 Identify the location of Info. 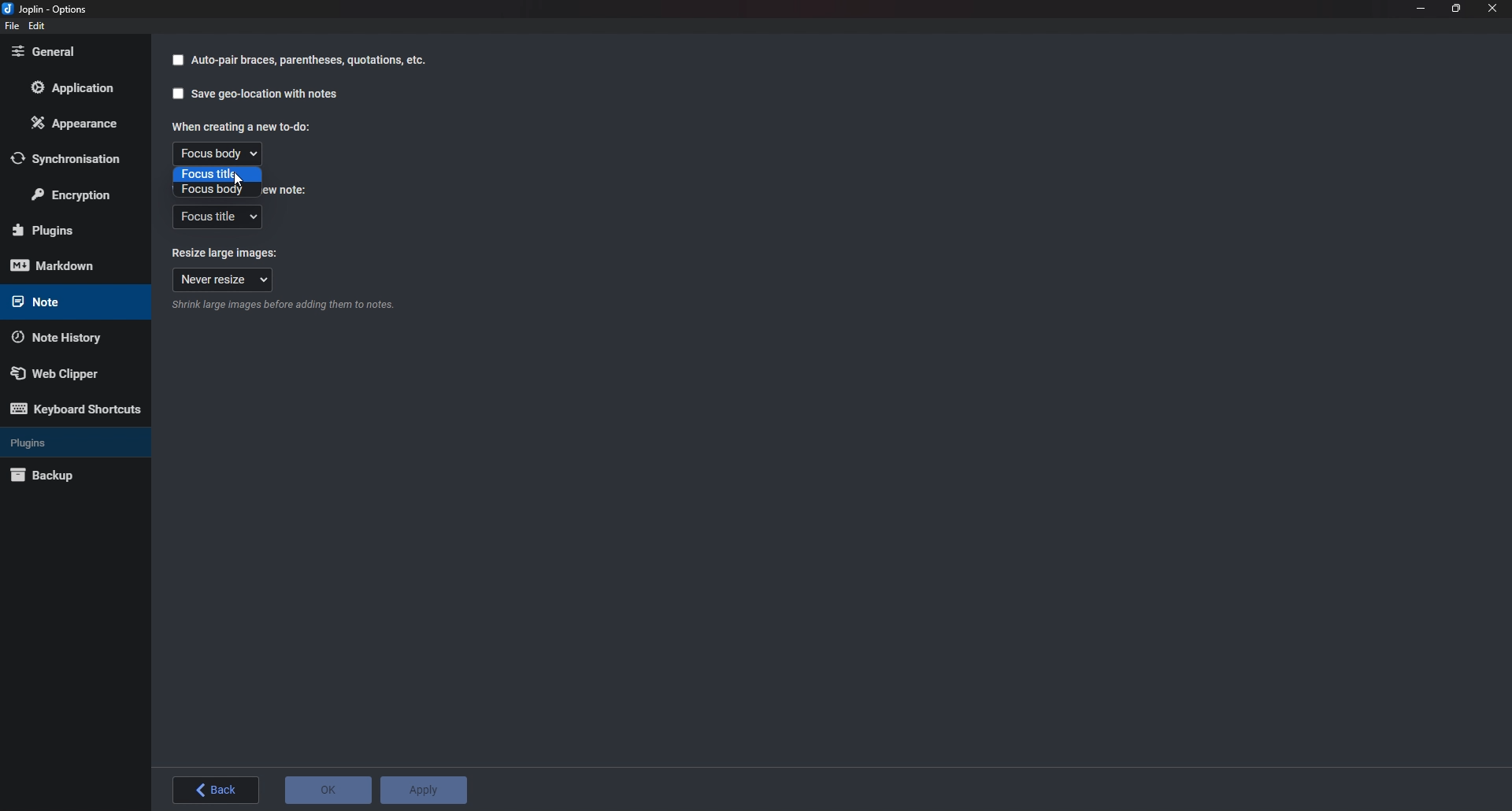
(283, 307).